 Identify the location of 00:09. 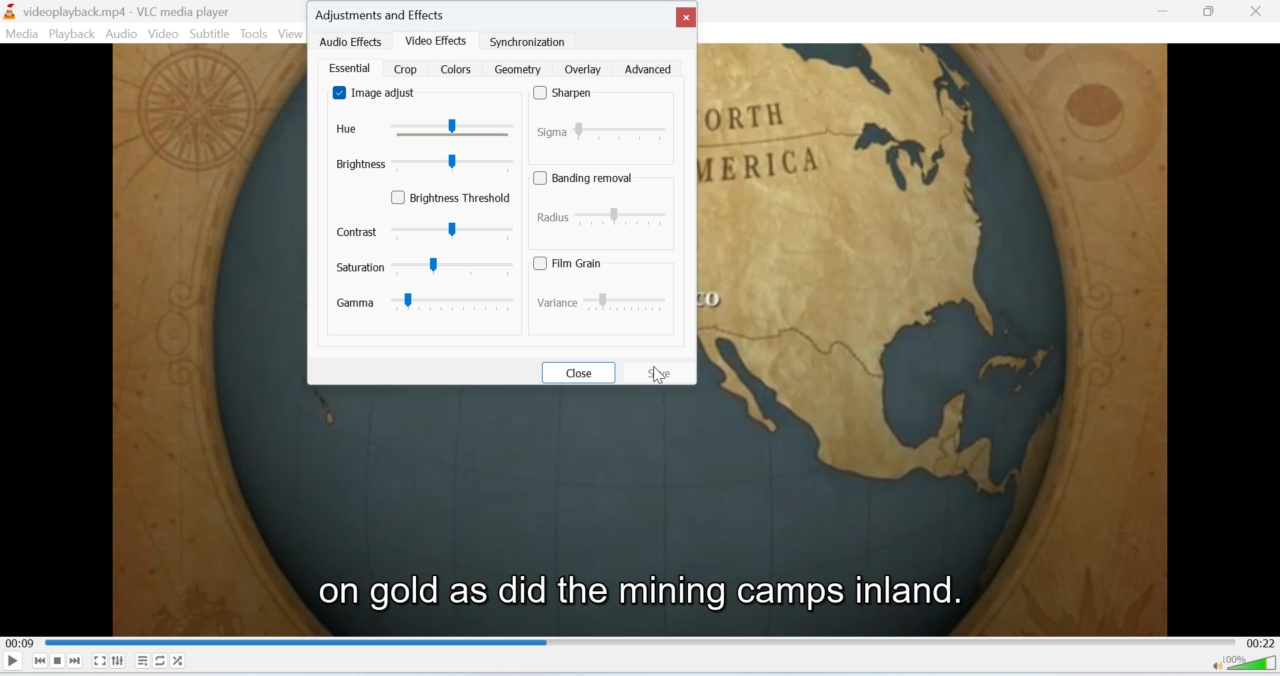
(18, 642).